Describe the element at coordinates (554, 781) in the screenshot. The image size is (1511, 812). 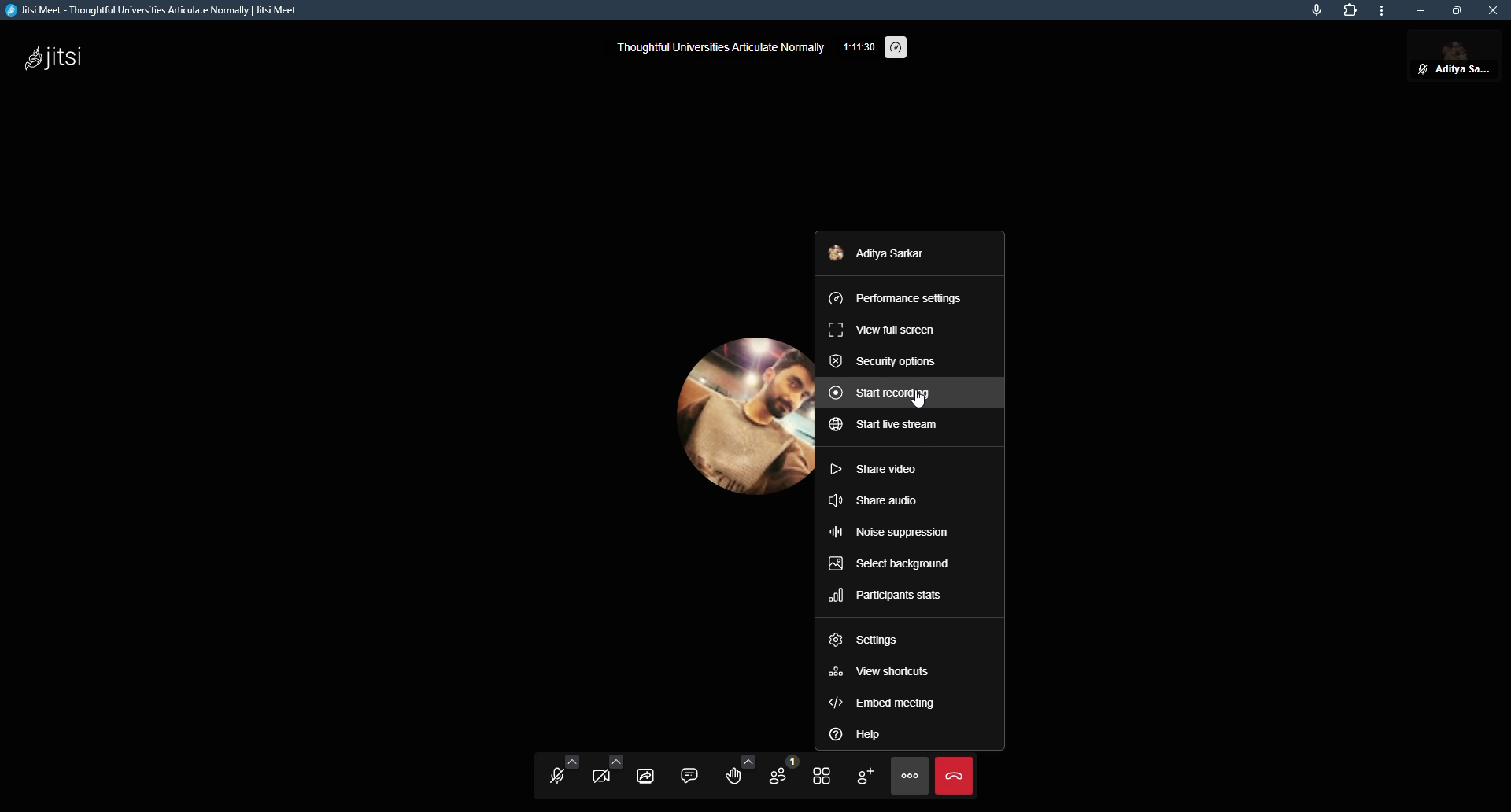
I see `unmute mic` at that location.